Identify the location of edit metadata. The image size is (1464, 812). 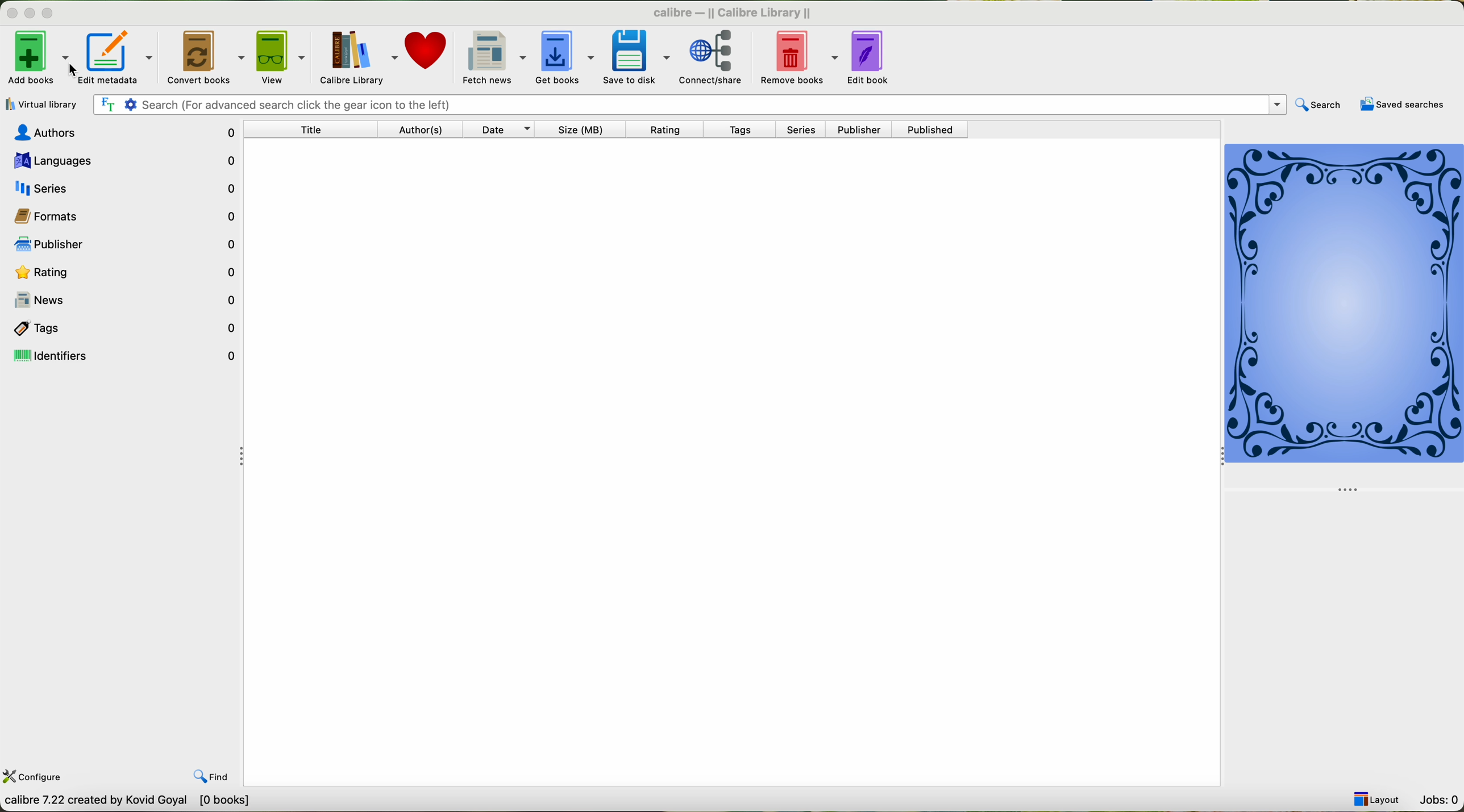
(116, 56).